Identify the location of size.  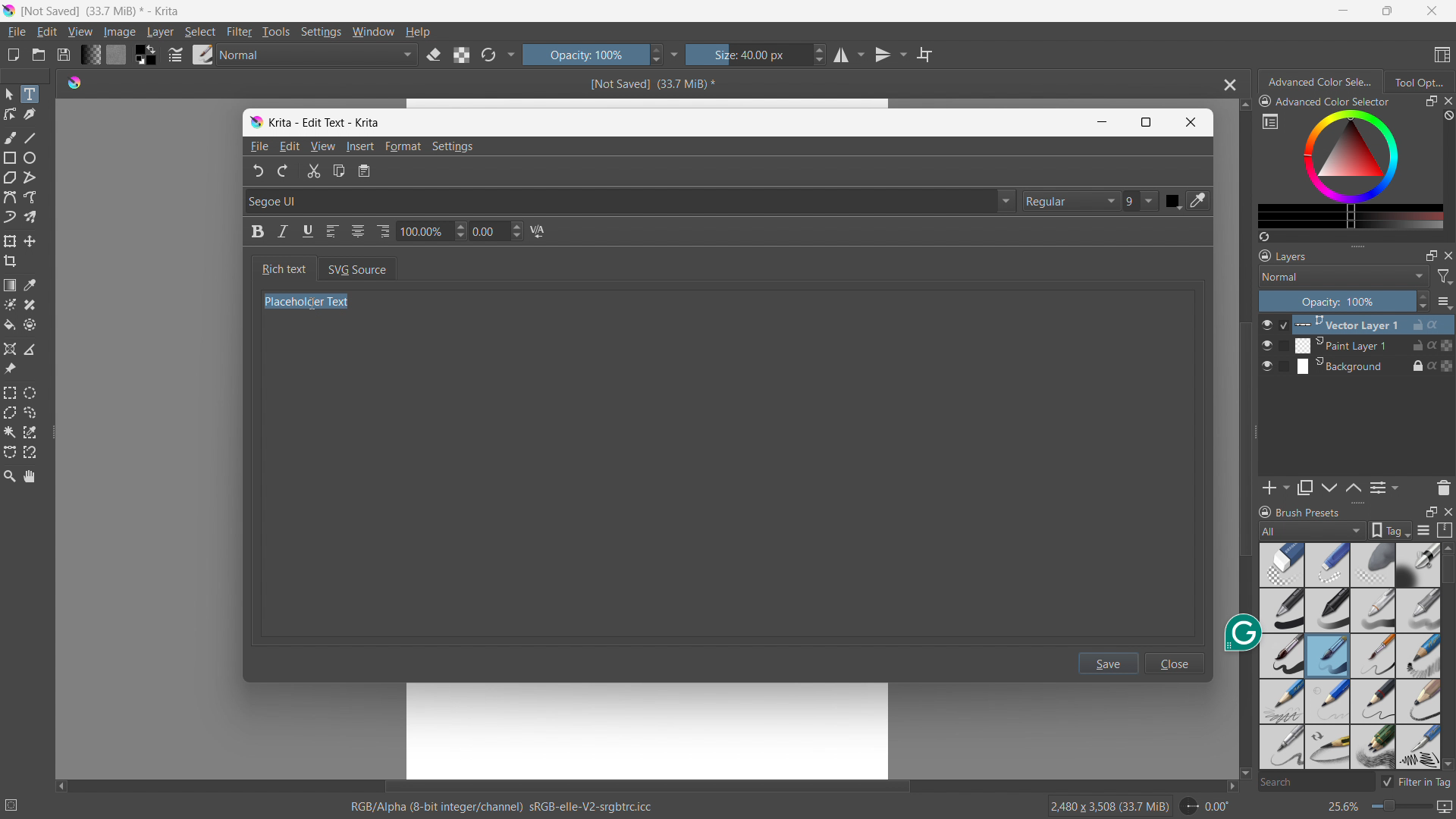
(756, 55).